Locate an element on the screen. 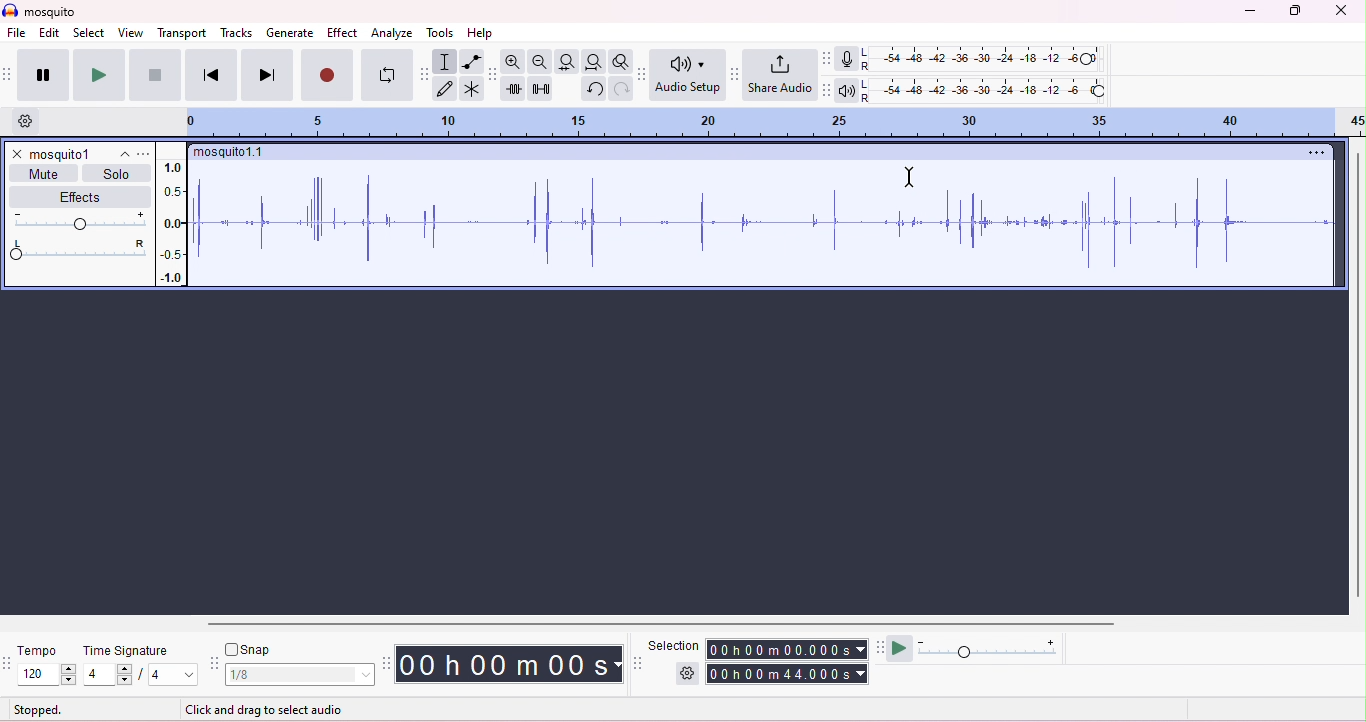 This screenshot has height=722, width=1366. fit project to width is located at coordinates (593, 62).